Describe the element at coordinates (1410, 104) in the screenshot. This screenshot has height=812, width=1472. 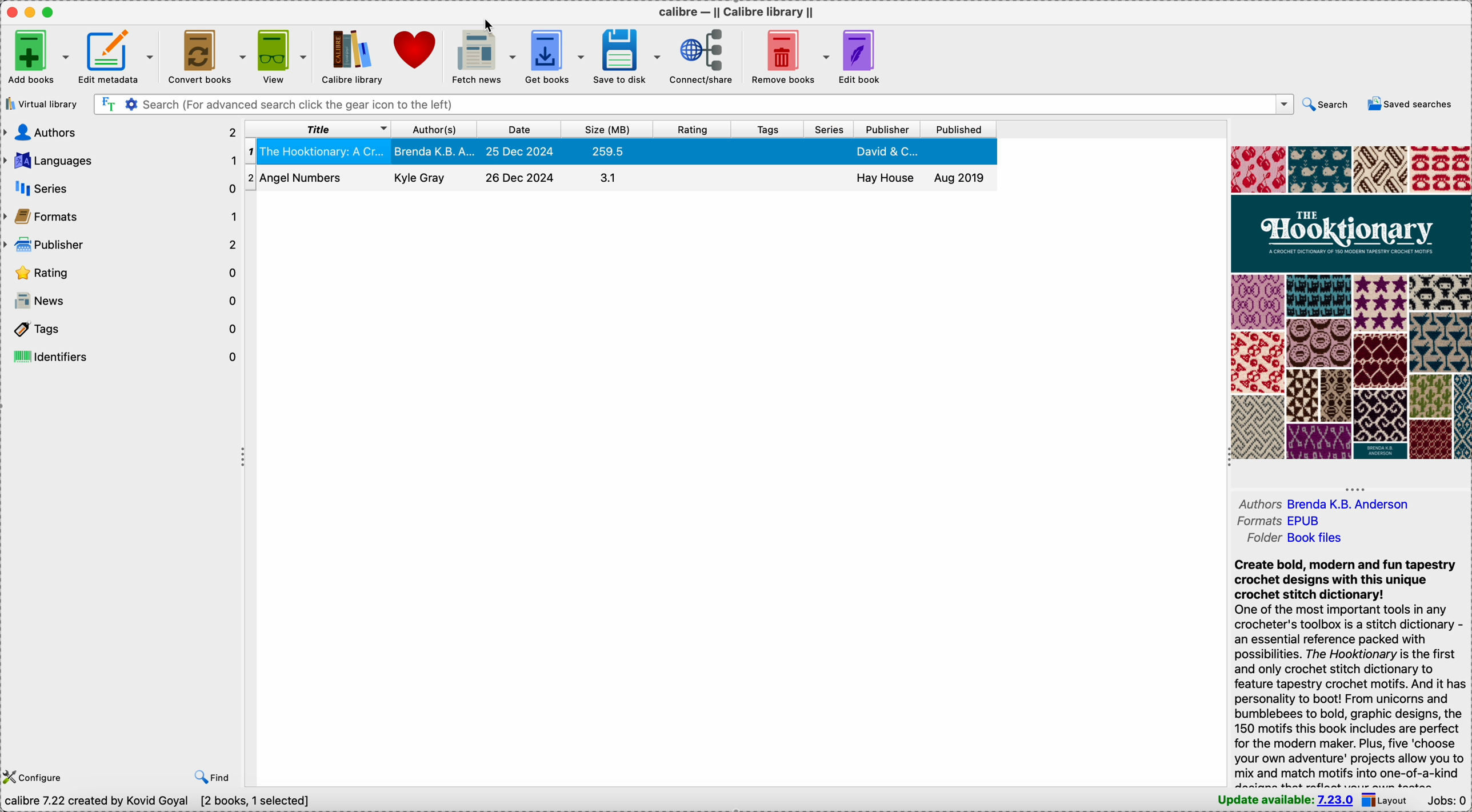
I see `saved searches` at that location.